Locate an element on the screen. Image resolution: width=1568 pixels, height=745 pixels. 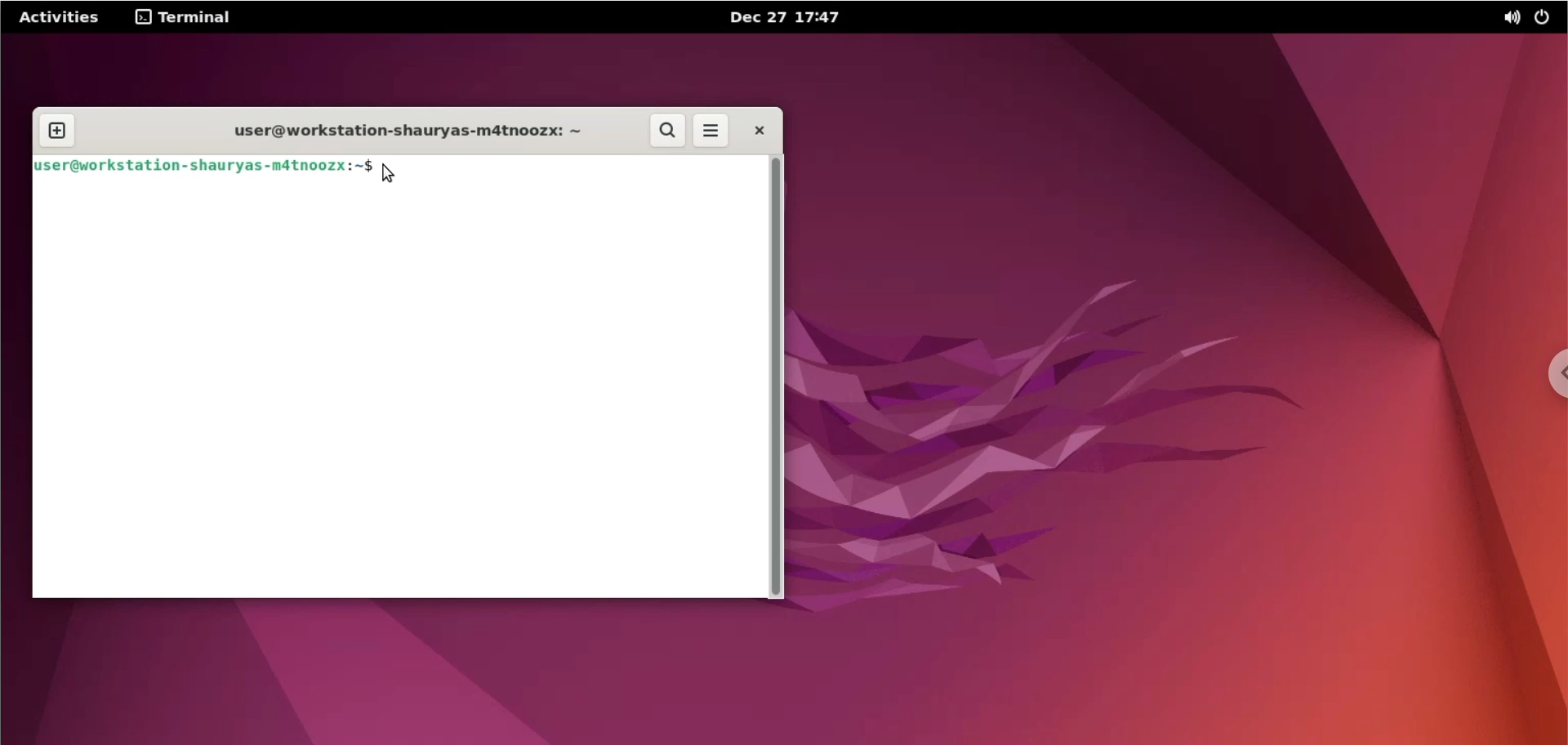
new tab is located at coordinates (56, 131).